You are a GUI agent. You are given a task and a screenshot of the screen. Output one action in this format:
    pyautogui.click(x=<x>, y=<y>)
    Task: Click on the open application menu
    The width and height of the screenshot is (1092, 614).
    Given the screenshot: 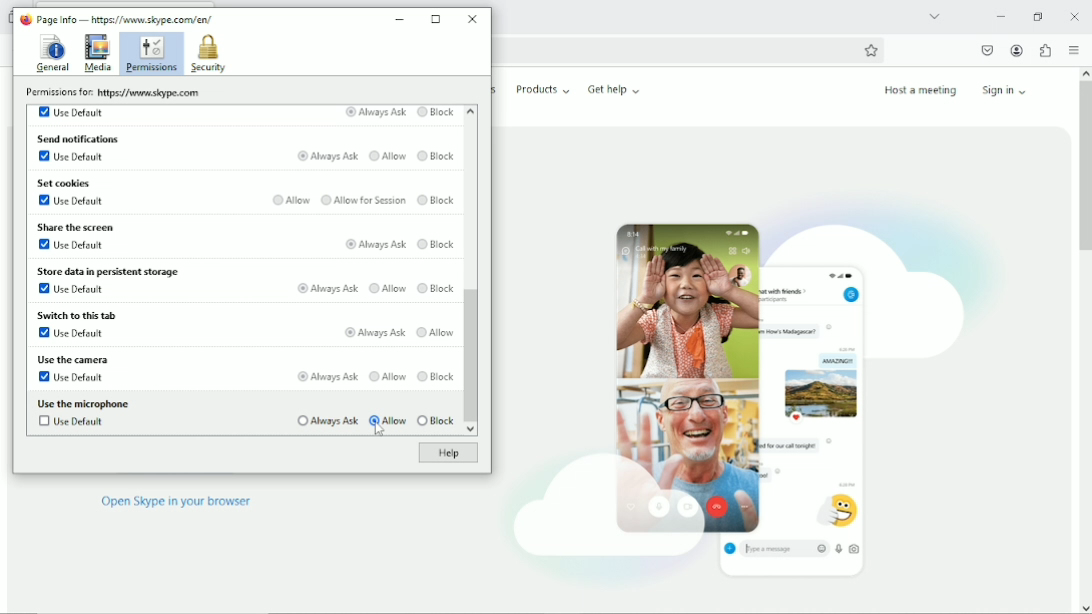 What is the action you would take?
    pyautogui.click(x=1073, y=51)
    